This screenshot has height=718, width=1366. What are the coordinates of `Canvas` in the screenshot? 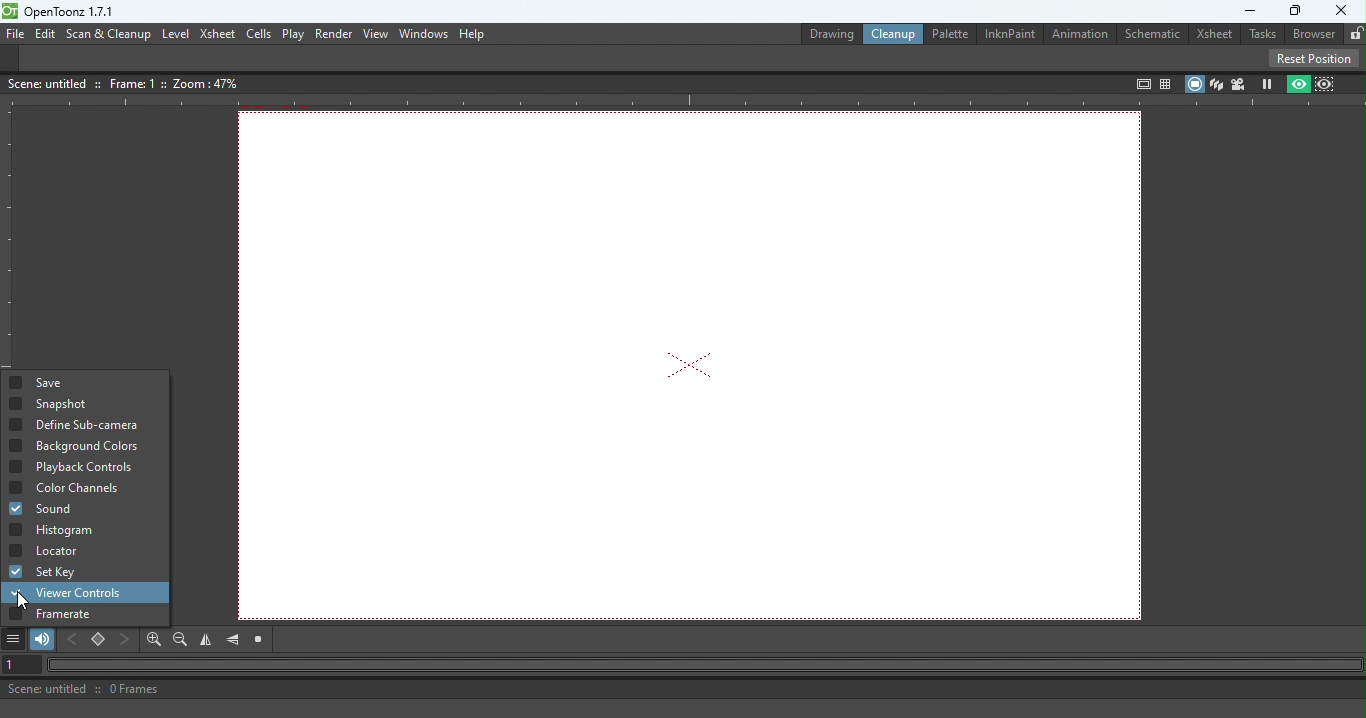 It's located at (696, 367).